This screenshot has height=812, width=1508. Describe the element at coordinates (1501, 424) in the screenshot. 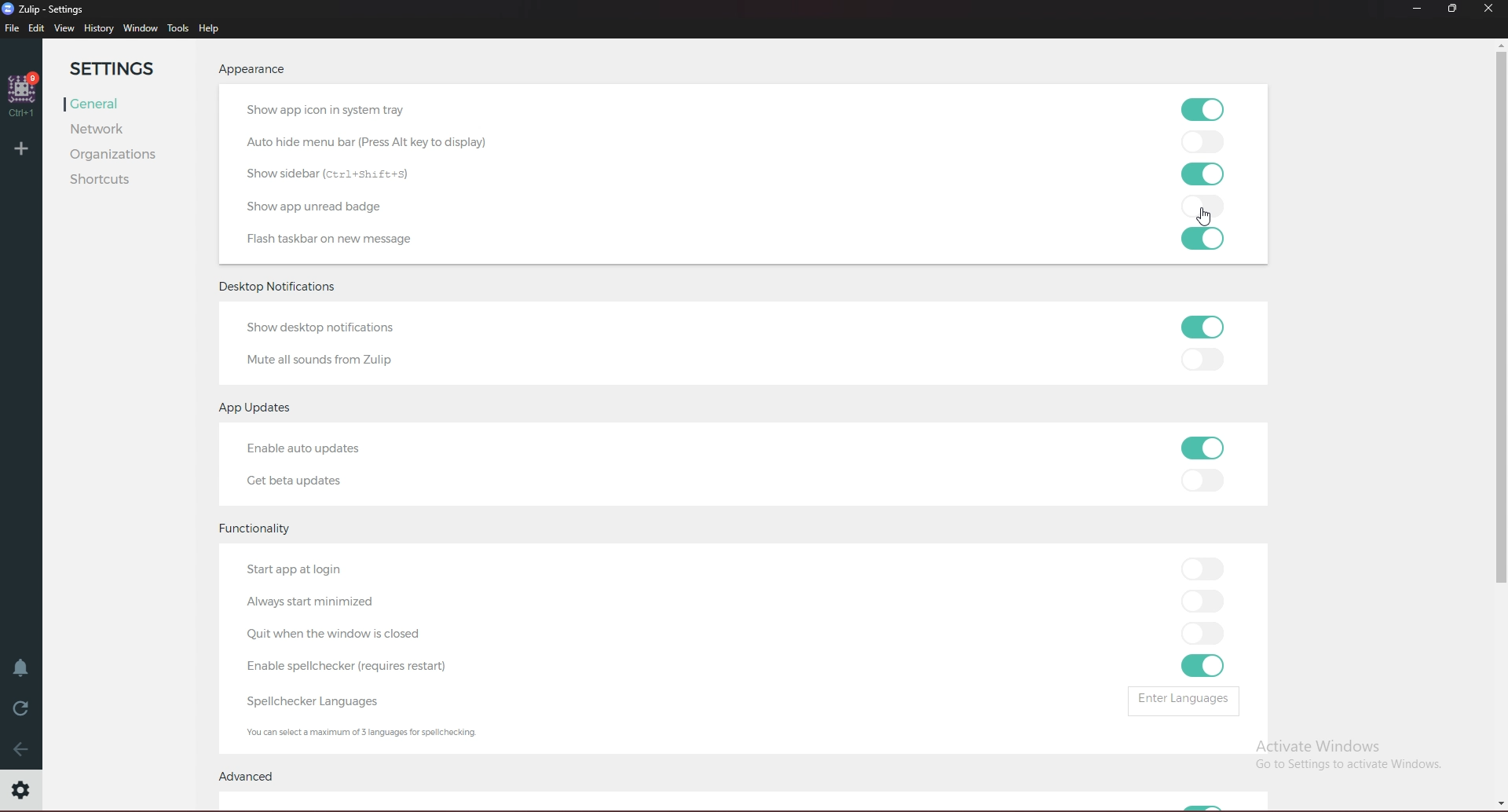

I see `scroll bar` at that location.